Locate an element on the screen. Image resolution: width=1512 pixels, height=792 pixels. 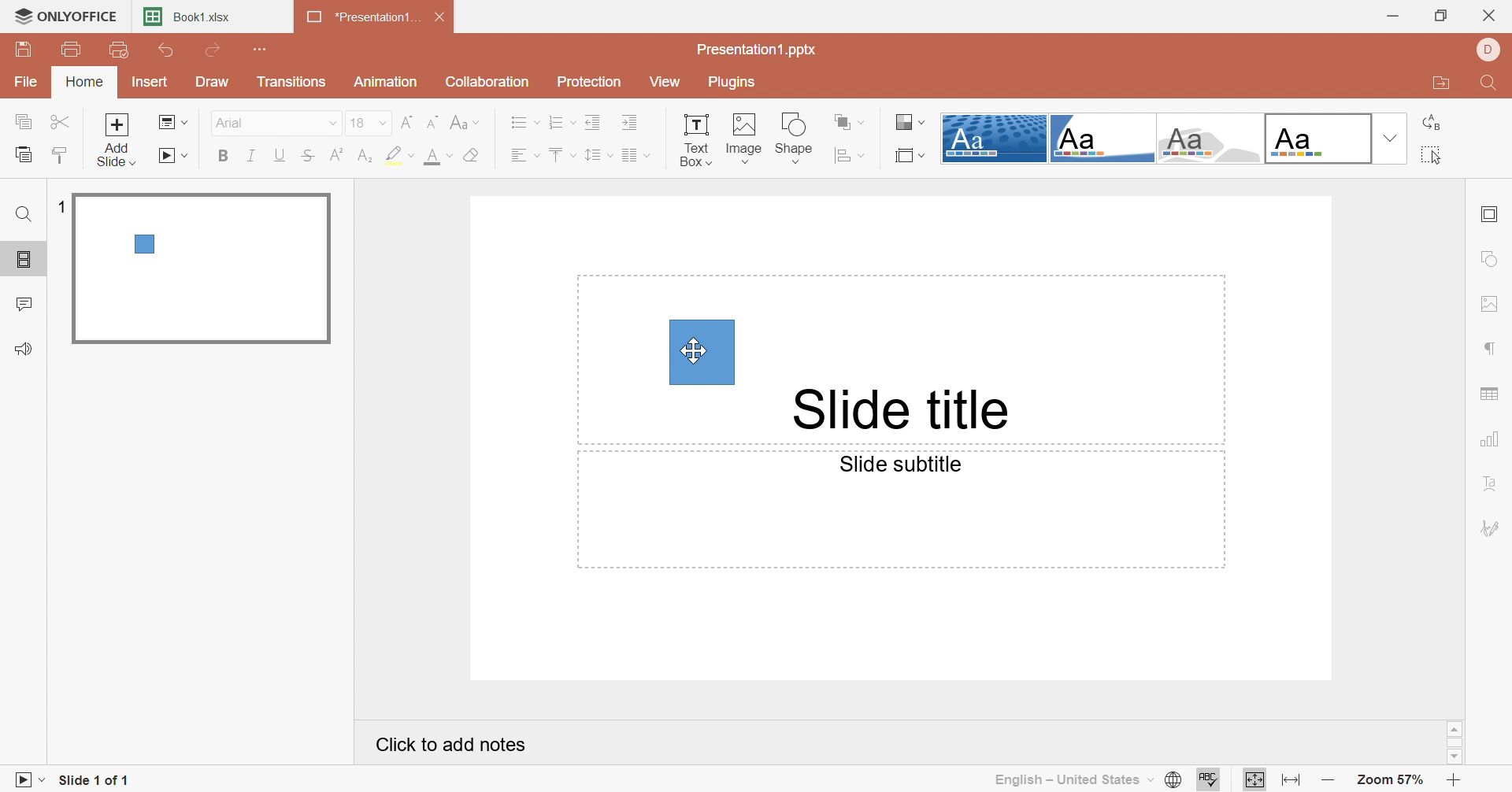
Scroll Bar is located at coordinates (1457, 743).